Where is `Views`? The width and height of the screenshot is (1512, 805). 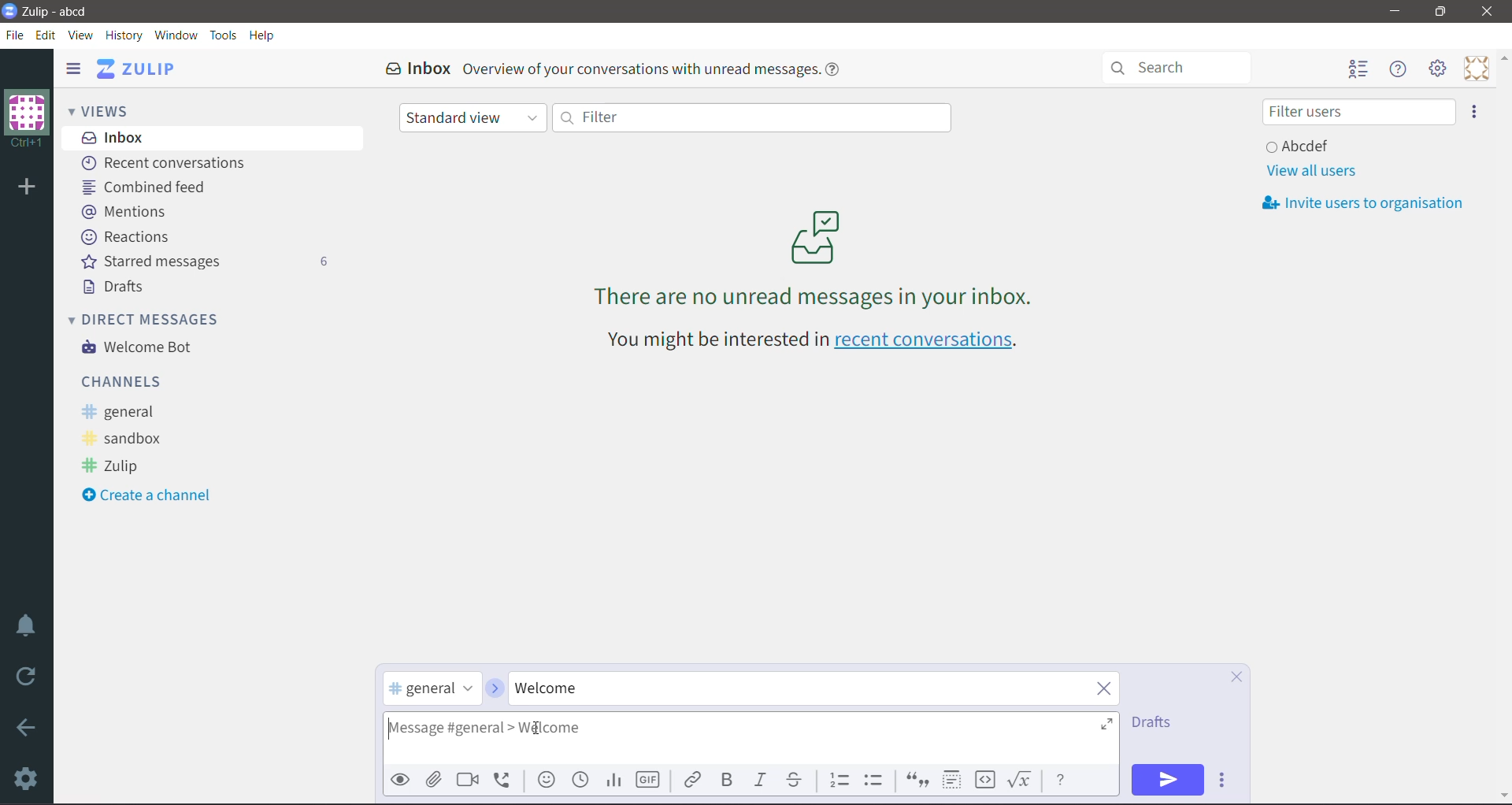
Views is located at coordinates (110, 109).